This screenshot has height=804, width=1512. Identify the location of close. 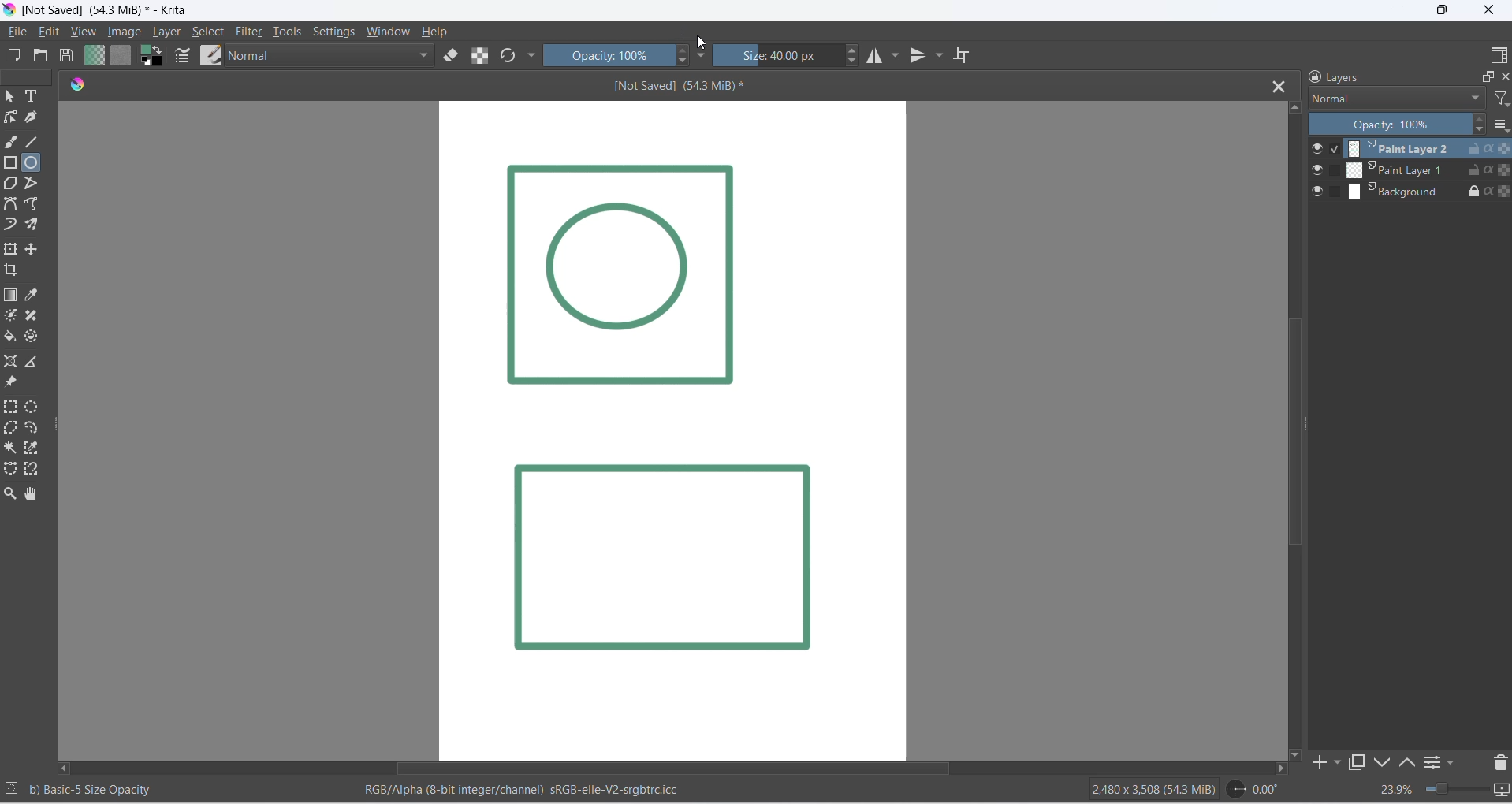
(1503, 73).